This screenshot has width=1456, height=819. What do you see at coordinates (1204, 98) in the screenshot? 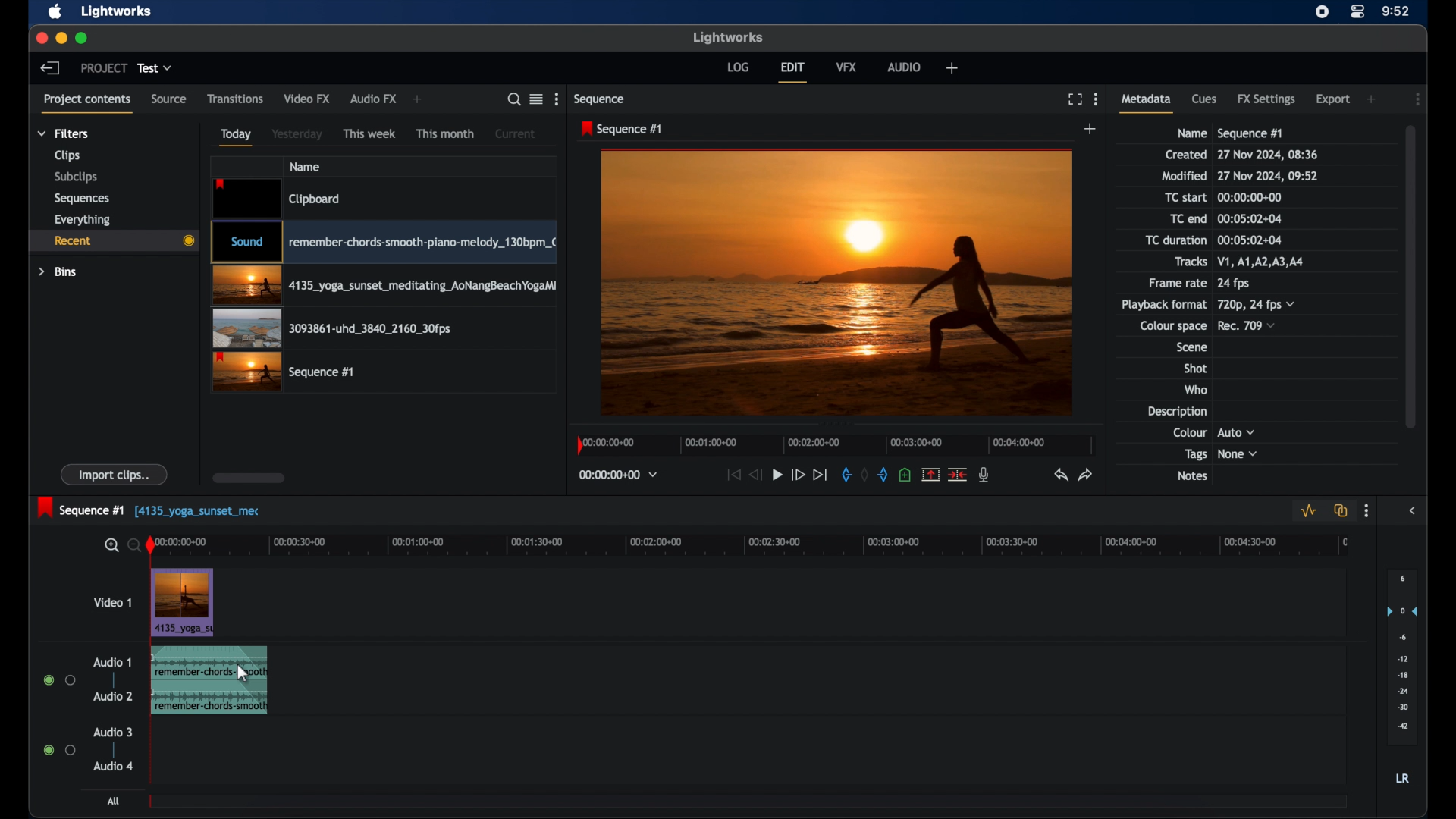
I see `cues` at bounding box center [1204, 98].